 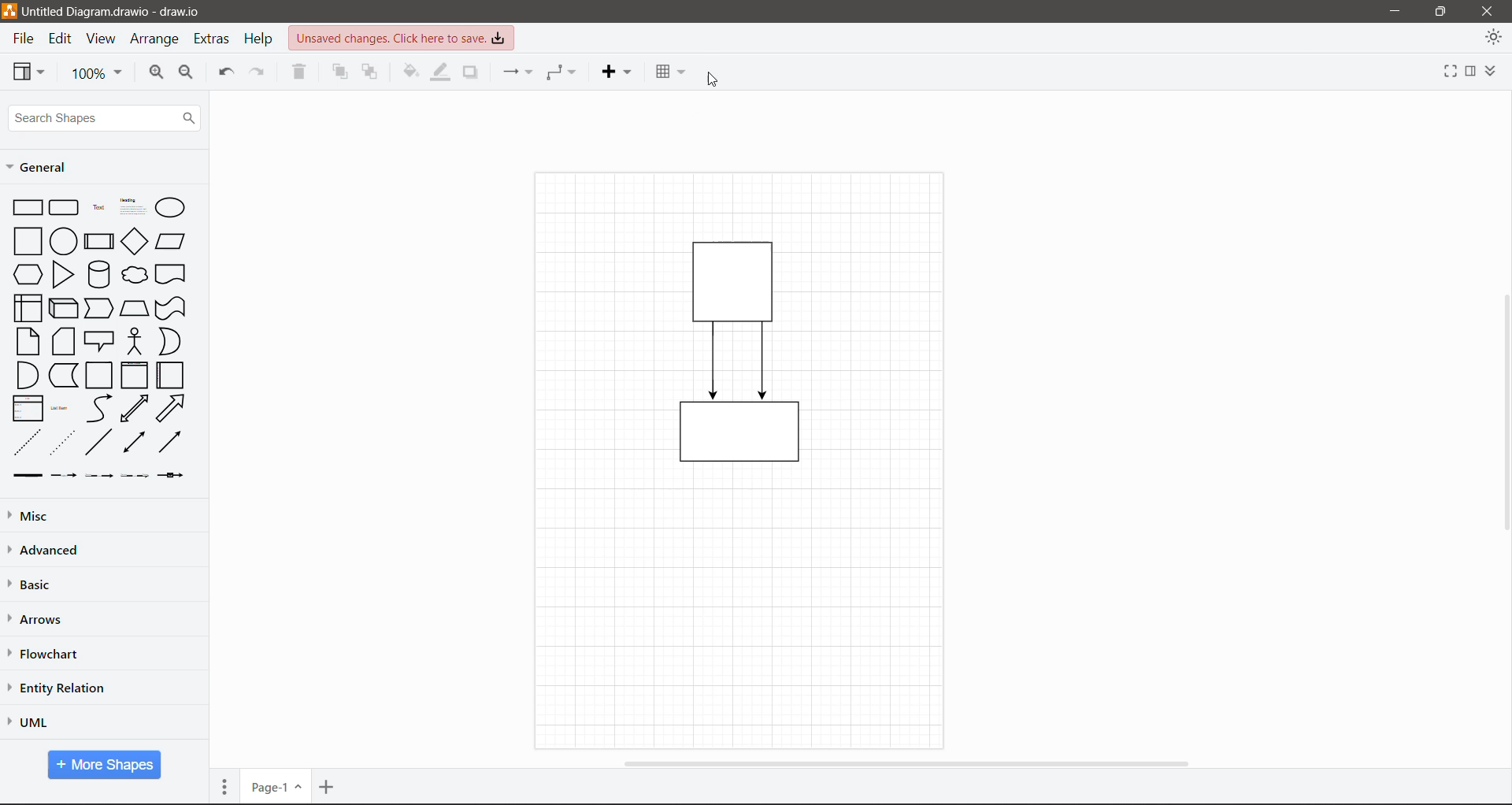 I want to click on Zoom Out, so click(x=187, y=75).